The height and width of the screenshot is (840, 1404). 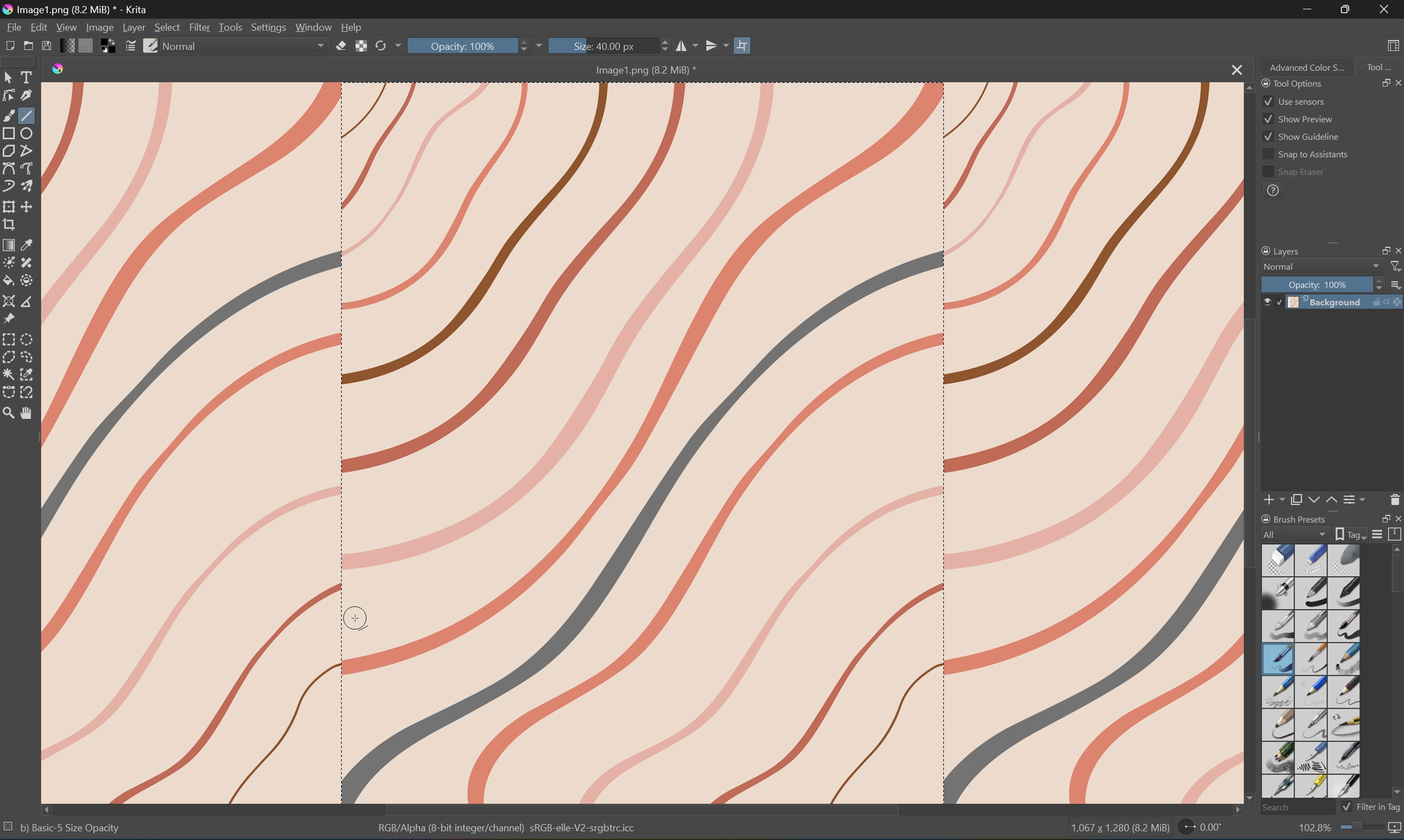 What do you see at coordinates (1345, 807) in the screenshot?
I see `Checkbox` at bounding box center [1345, 807].